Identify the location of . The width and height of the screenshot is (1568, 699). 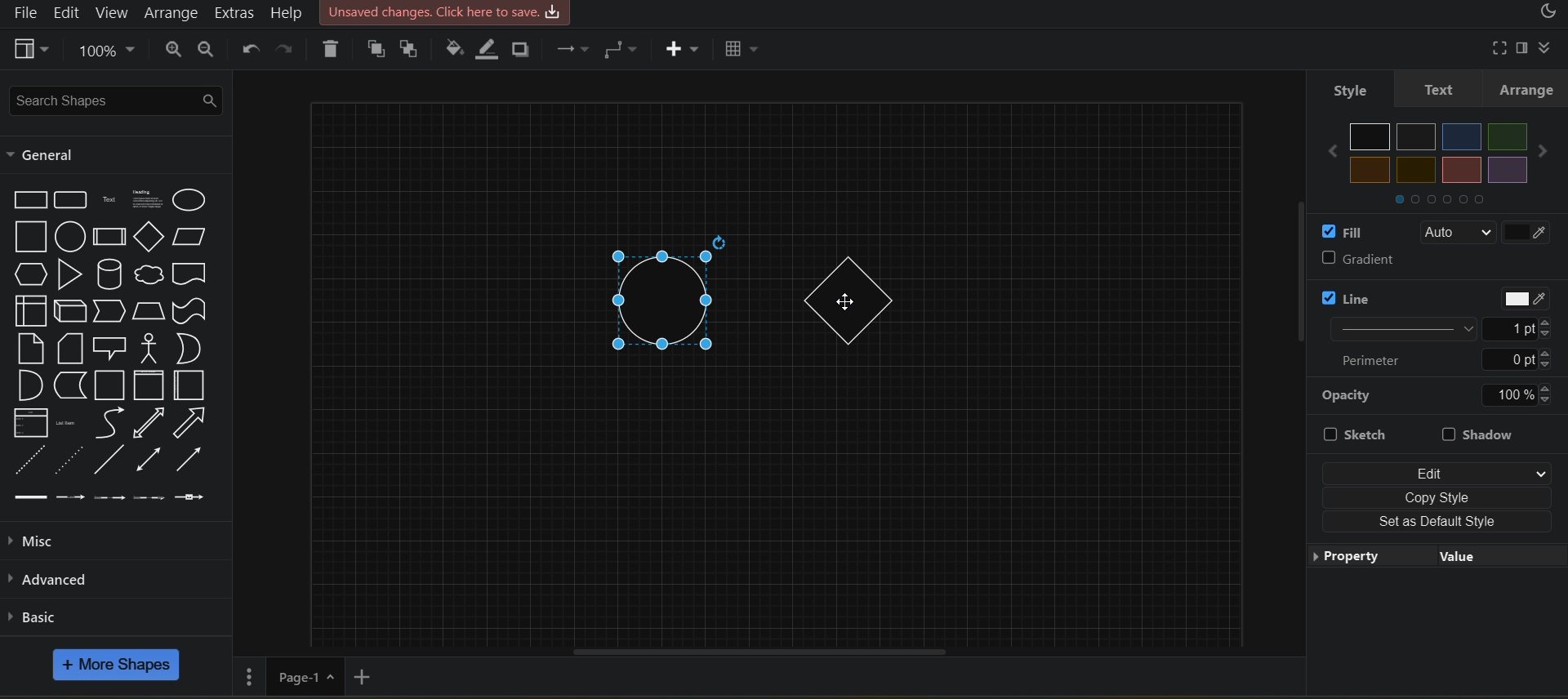
(1370, 137).